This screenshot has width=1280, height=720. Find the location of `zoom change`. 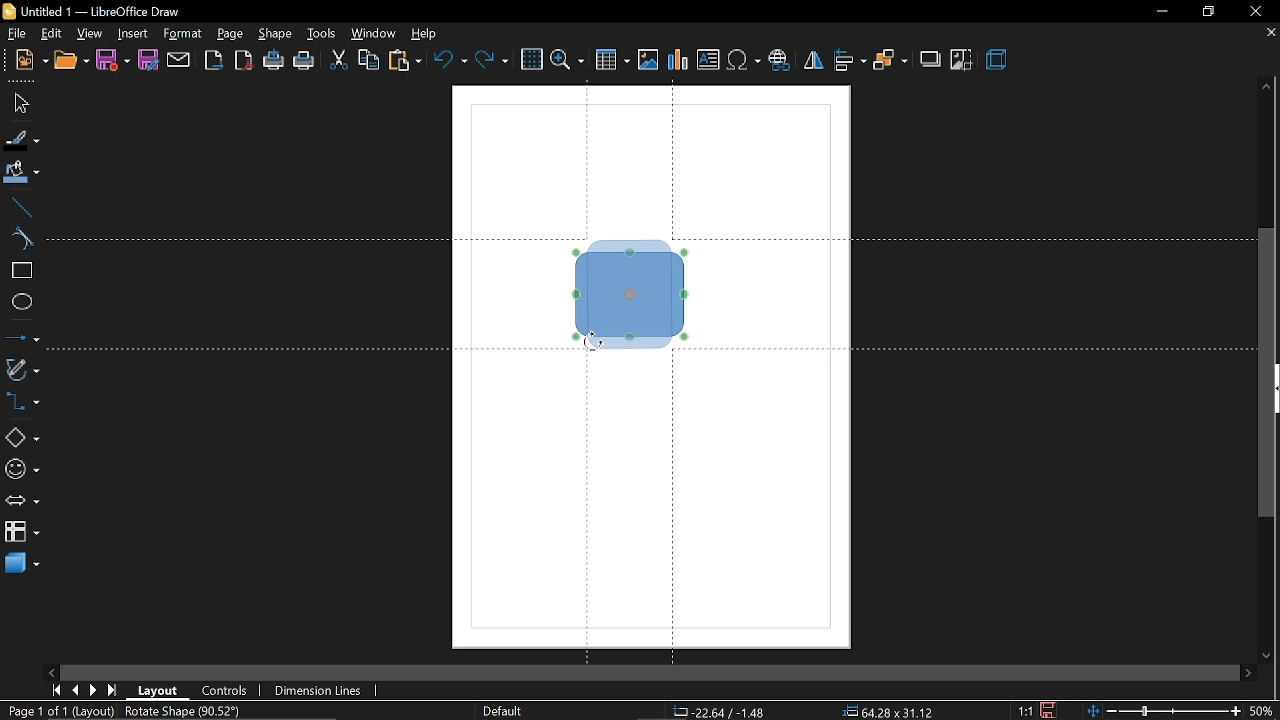

zoom change is located at coordinates (1164, 712).